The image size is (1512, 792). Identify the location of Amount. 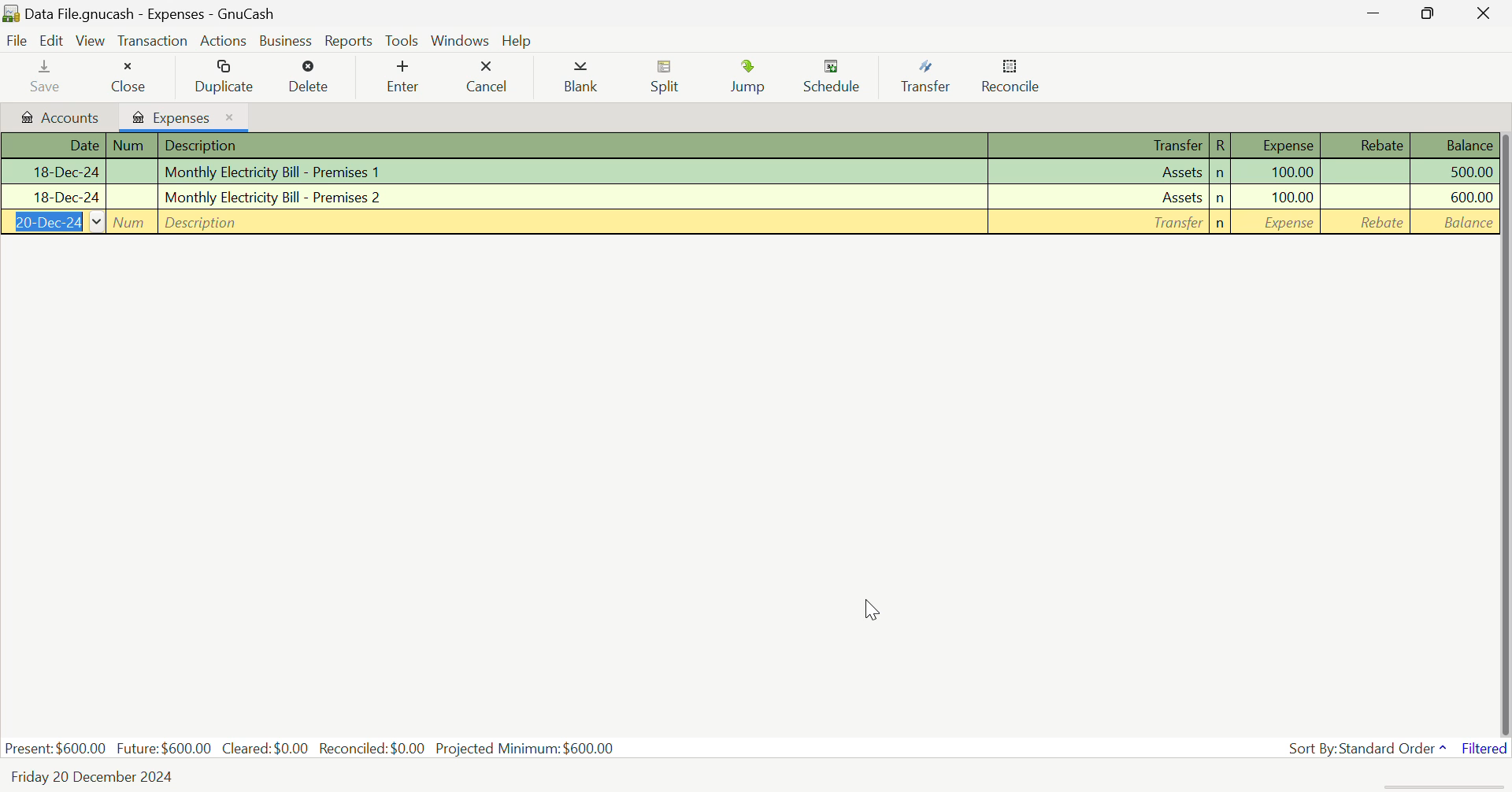
(1291, 198).